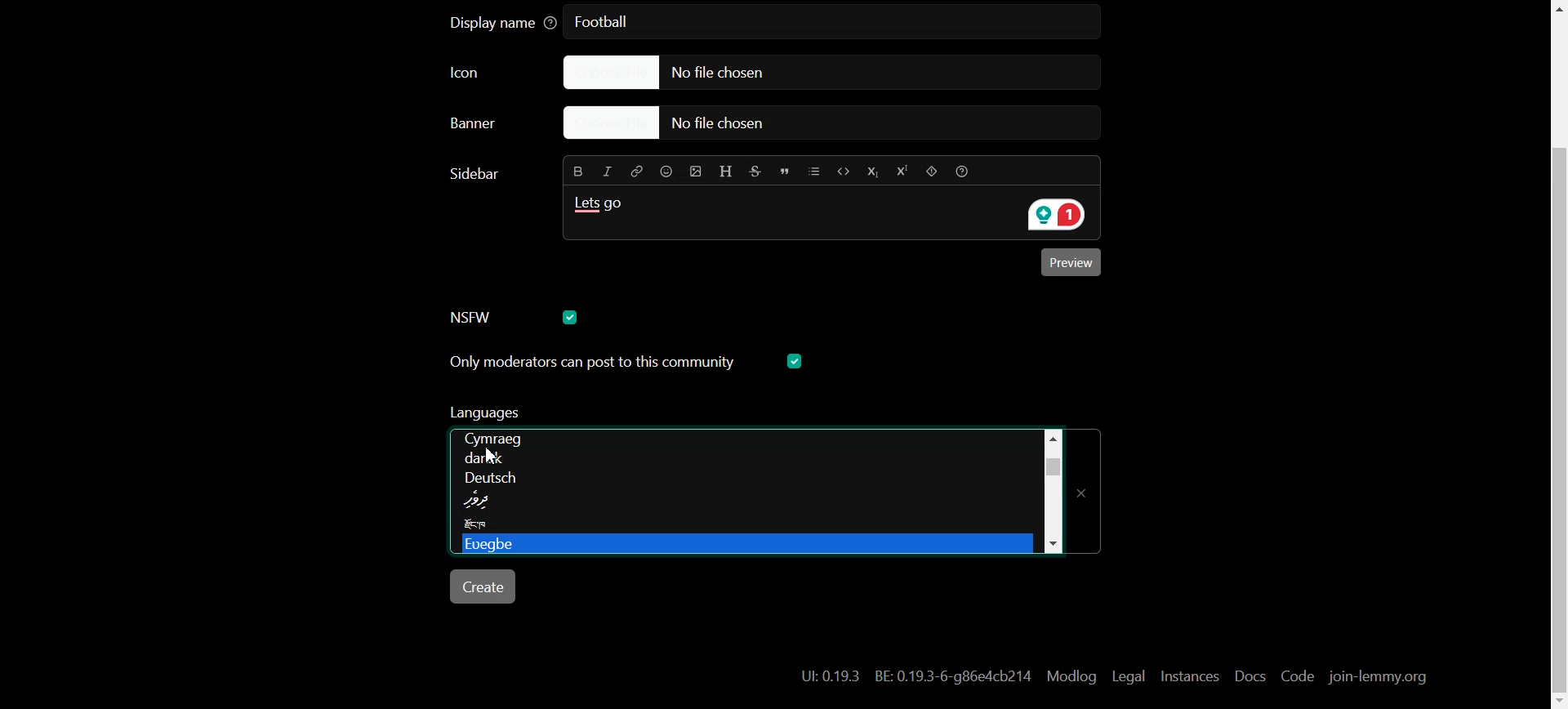 This screenshot has height=709, width=1568. What do you see at coordinates (1087, 486) in the screenshot?
I see `Close Window` at bounding box center [1087, 486].